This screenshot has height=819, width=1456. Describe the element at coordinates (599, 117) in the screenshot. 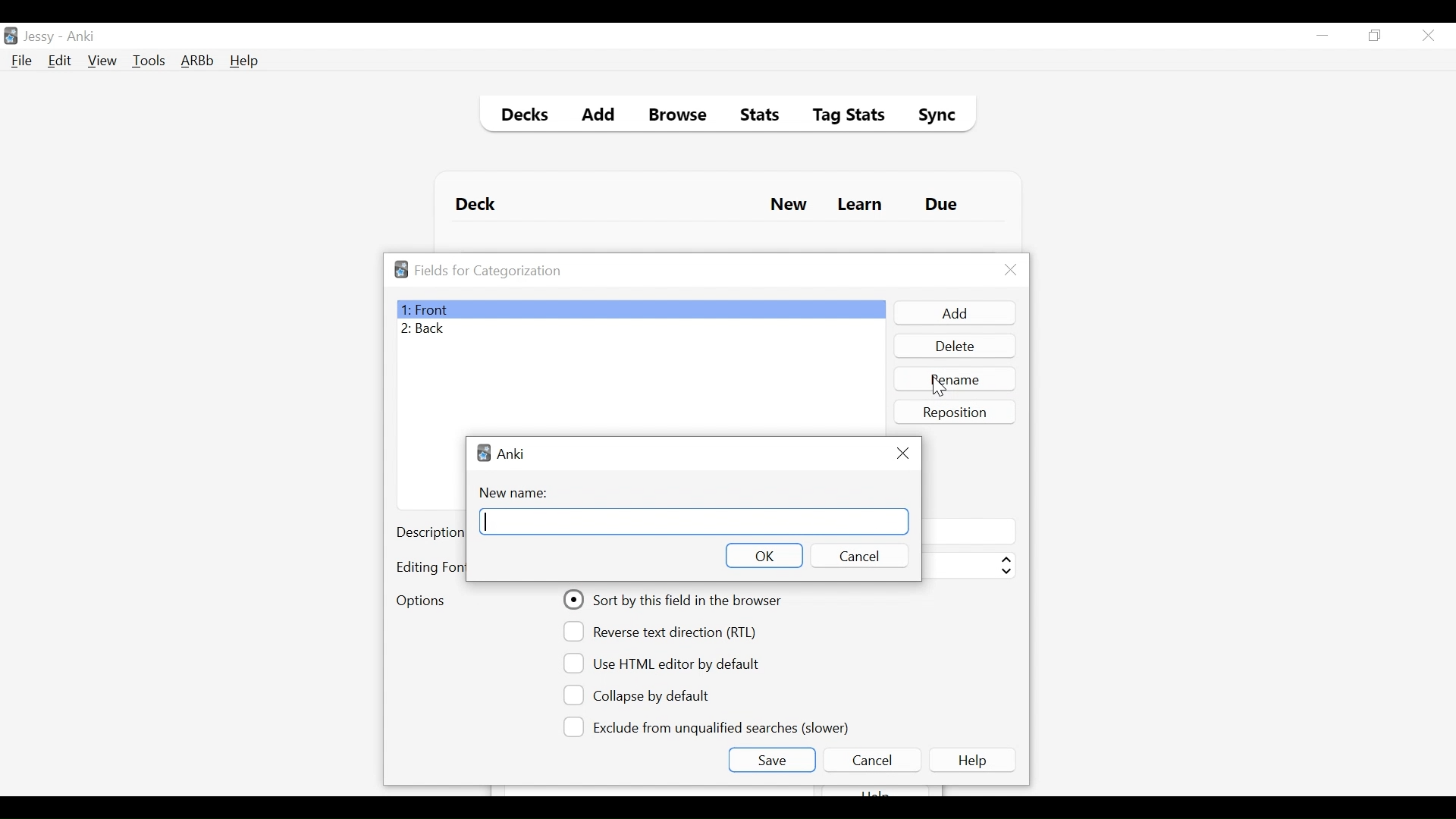

I see `Add` at that location.